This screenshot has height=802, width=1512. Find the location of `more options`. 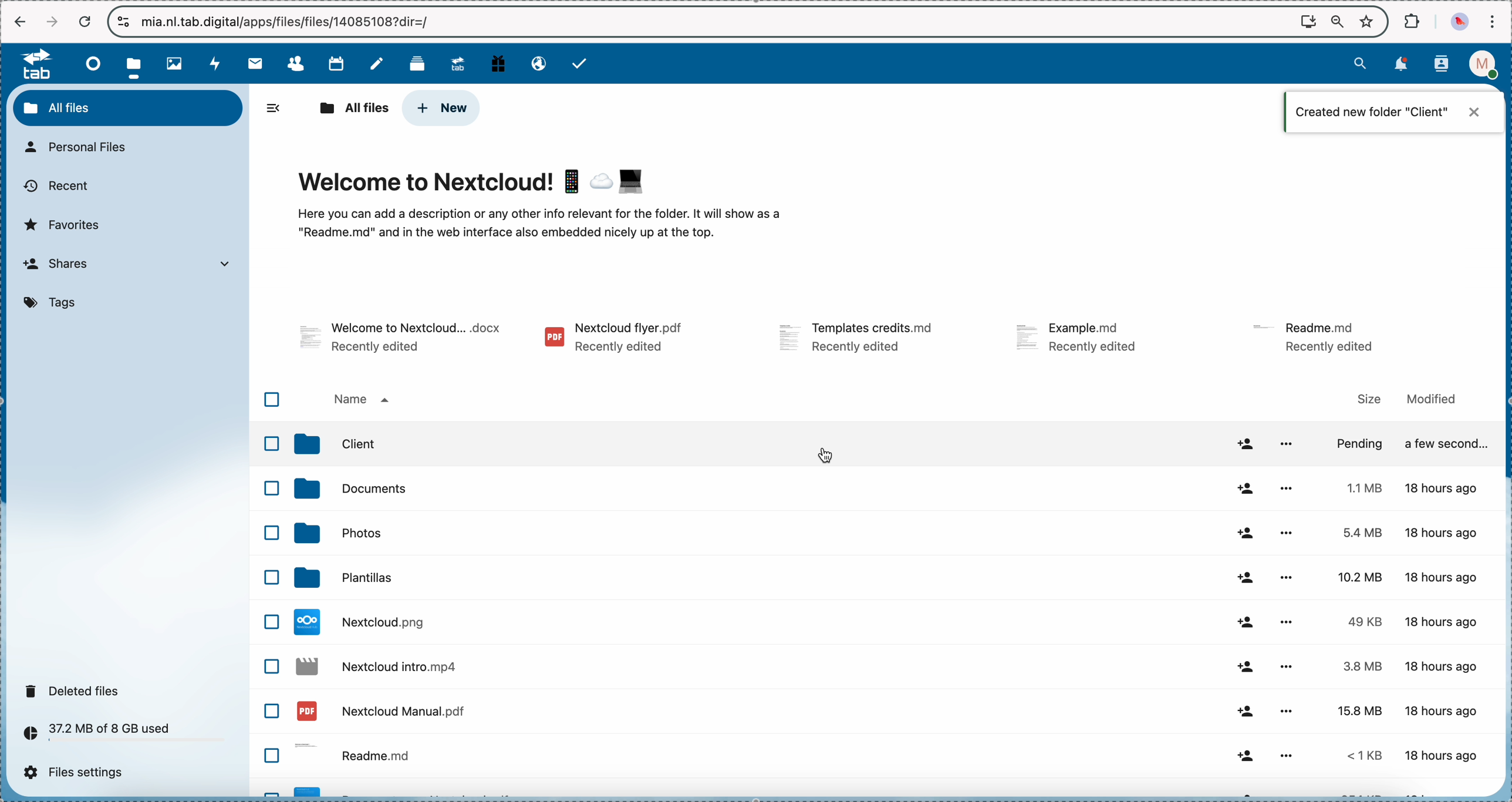

more options is located at coordinates (1284, 712).